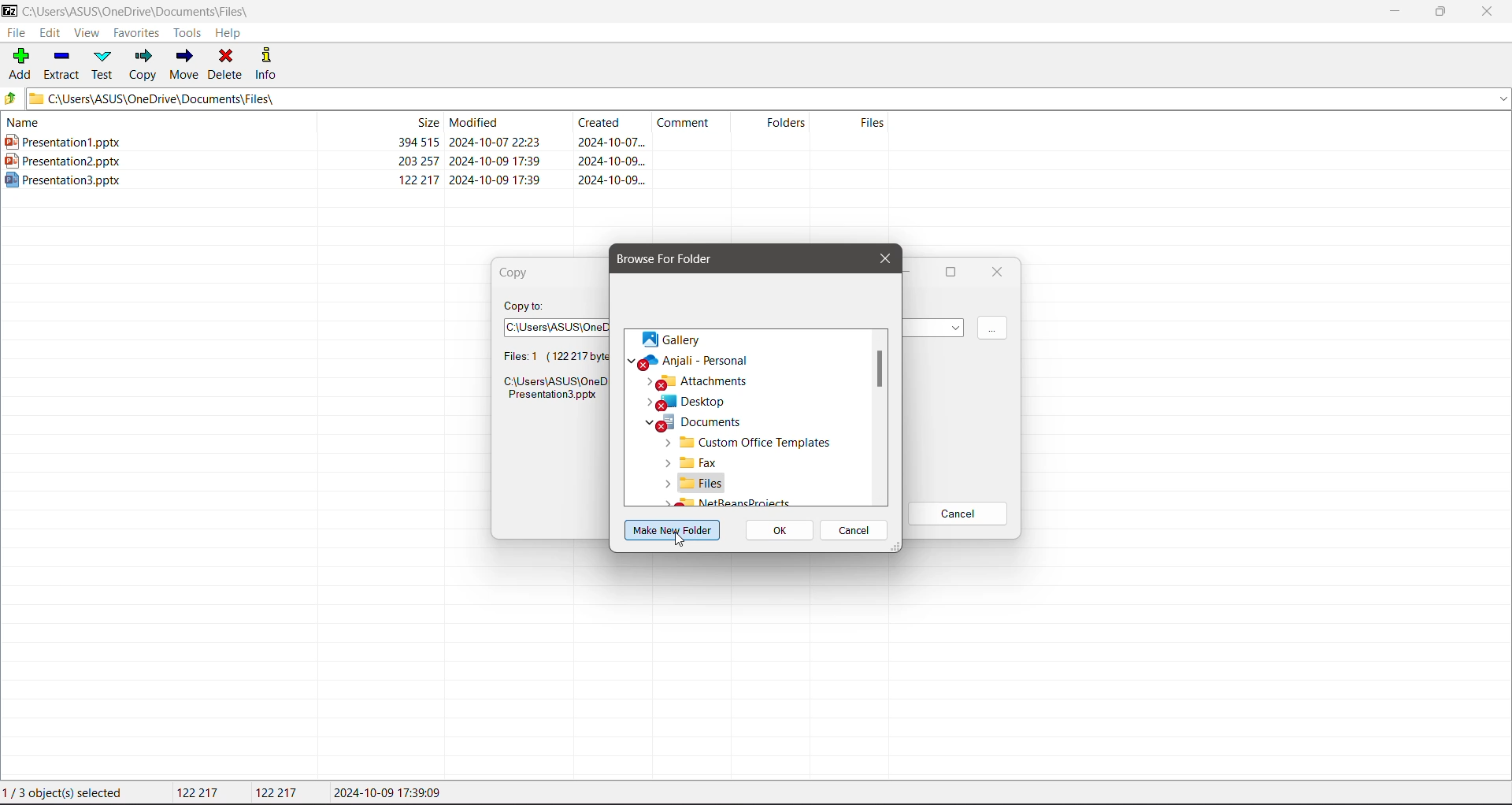 The image size is (1512, 805). What do you see at coordinates (749, 441) in the screenshot?
I see `| Custom Office Template` at bounding box center [749, 441].